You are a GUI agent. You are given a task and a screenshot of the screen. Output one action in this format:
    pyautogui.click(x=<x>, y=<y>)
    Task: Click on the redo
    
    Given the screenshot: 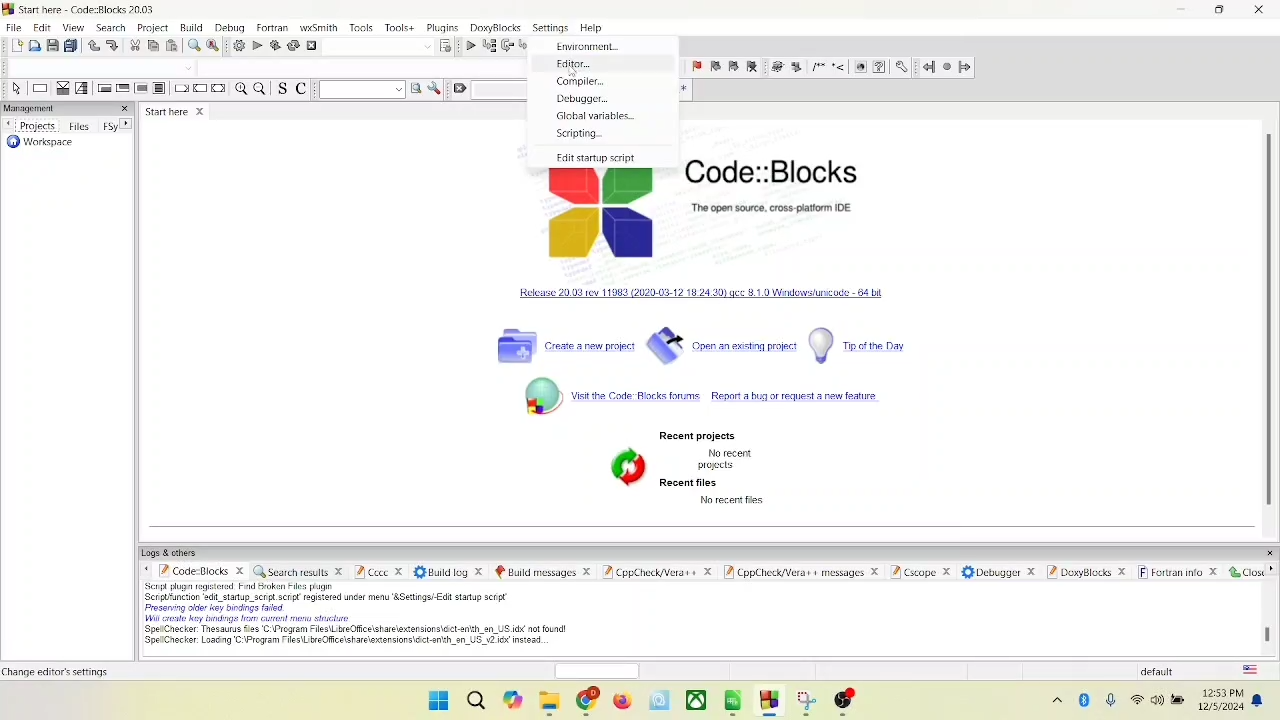 What is the action you would take?
    pyautogui.click(x=116, y=46)
    